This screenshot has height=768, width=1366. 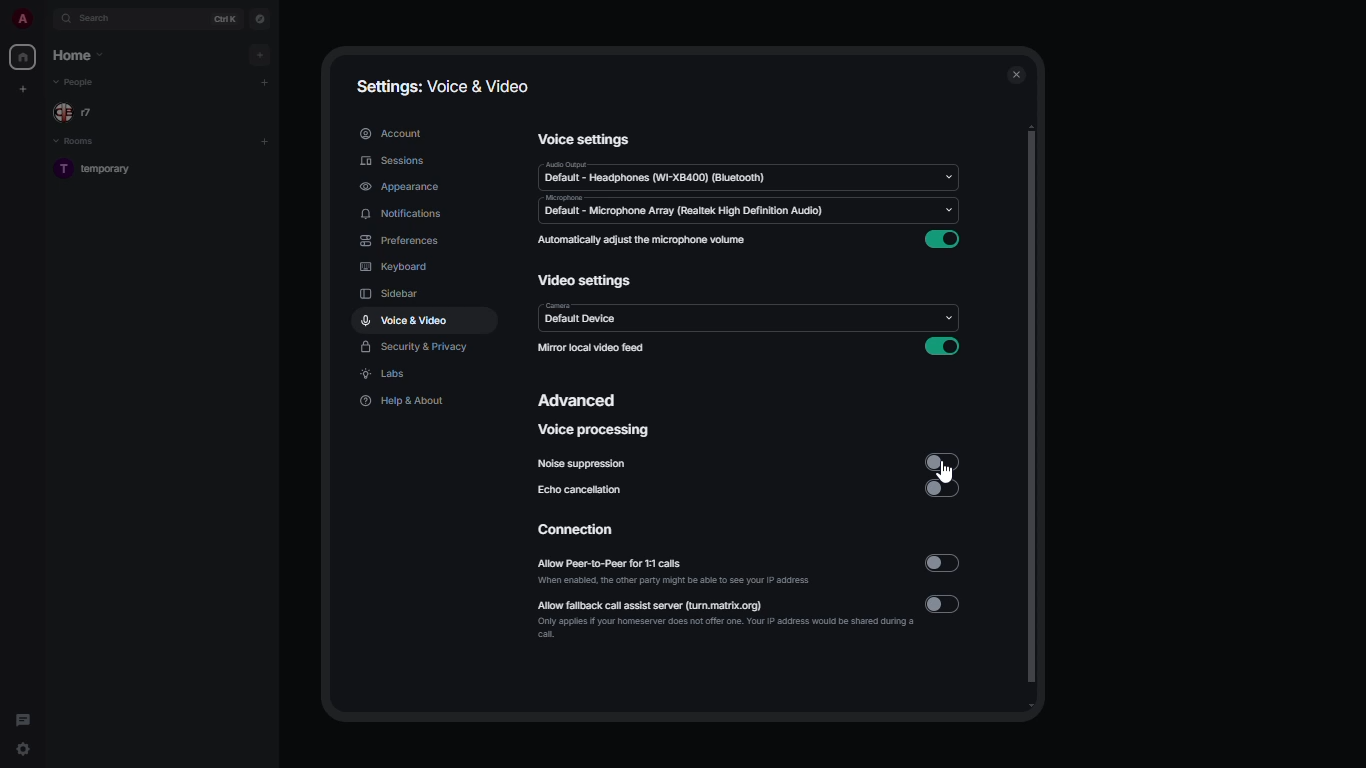 What do you see at coordinates (942, 239) in the screenshot?
I see `enabled` at bounding box center [942, 239].